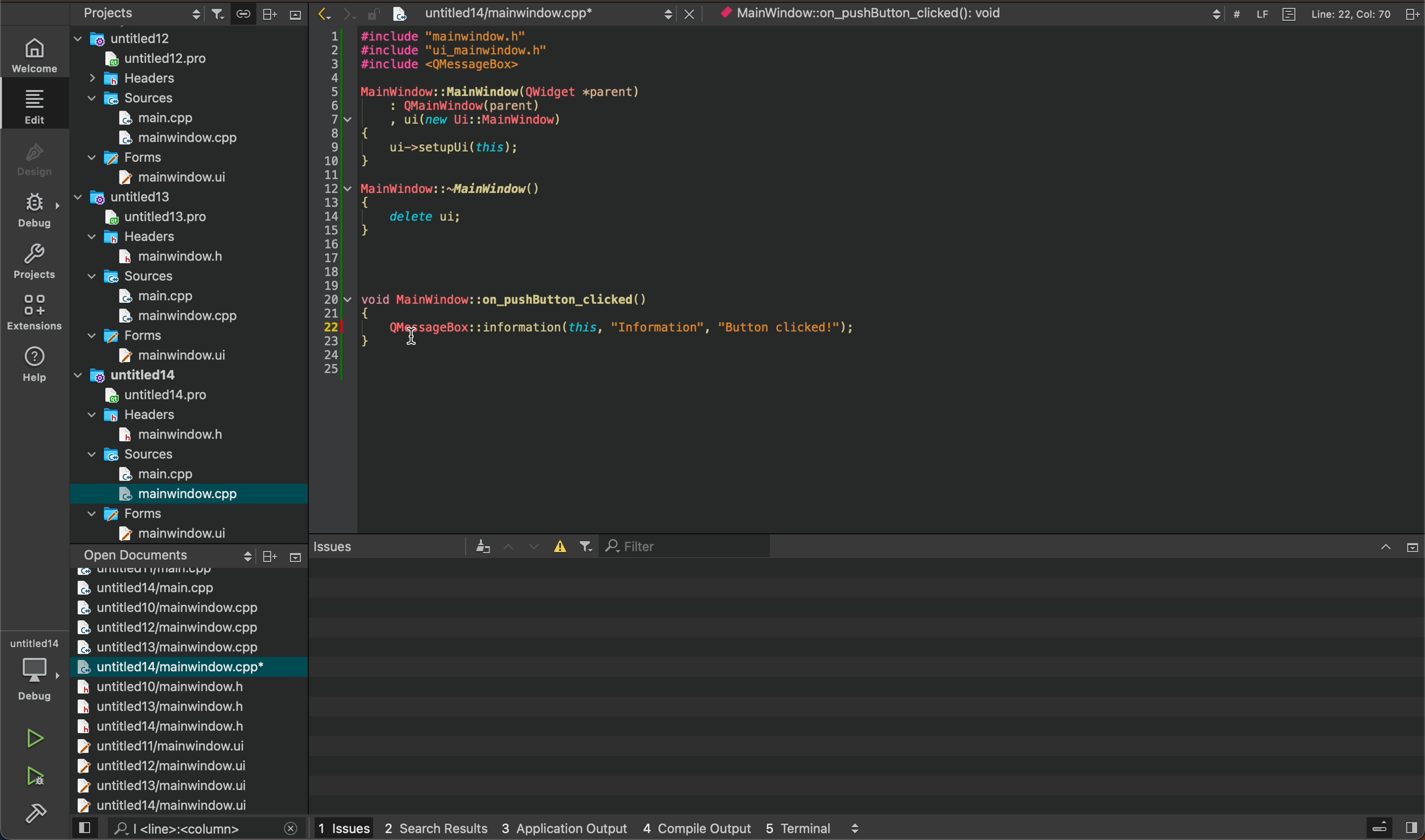 The image size is (1425, 840). I want to click on forms, so click(147, 335).